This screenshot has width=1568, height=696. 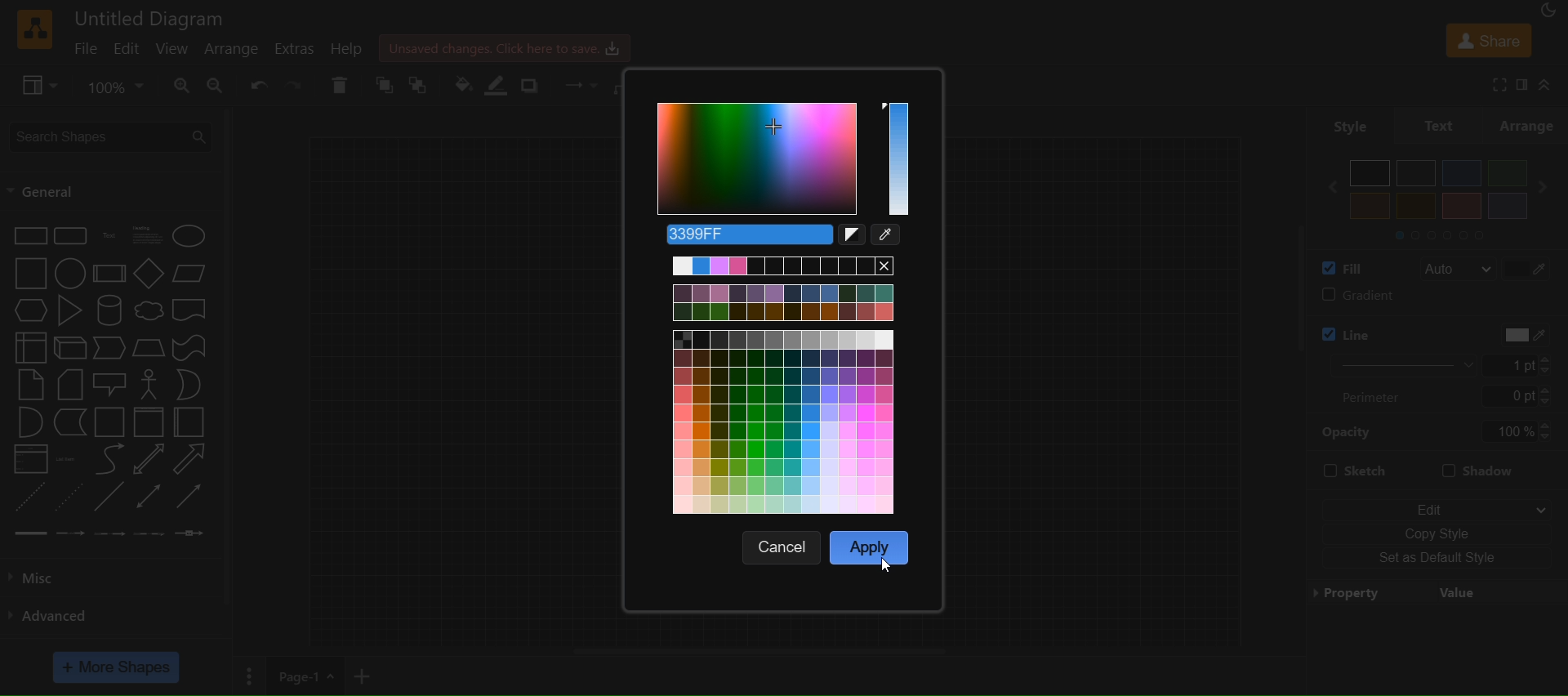 What do you see at coordinates (1417, 172) in the screenshot?
I see `grey color` at bounding box center [1417, 172].